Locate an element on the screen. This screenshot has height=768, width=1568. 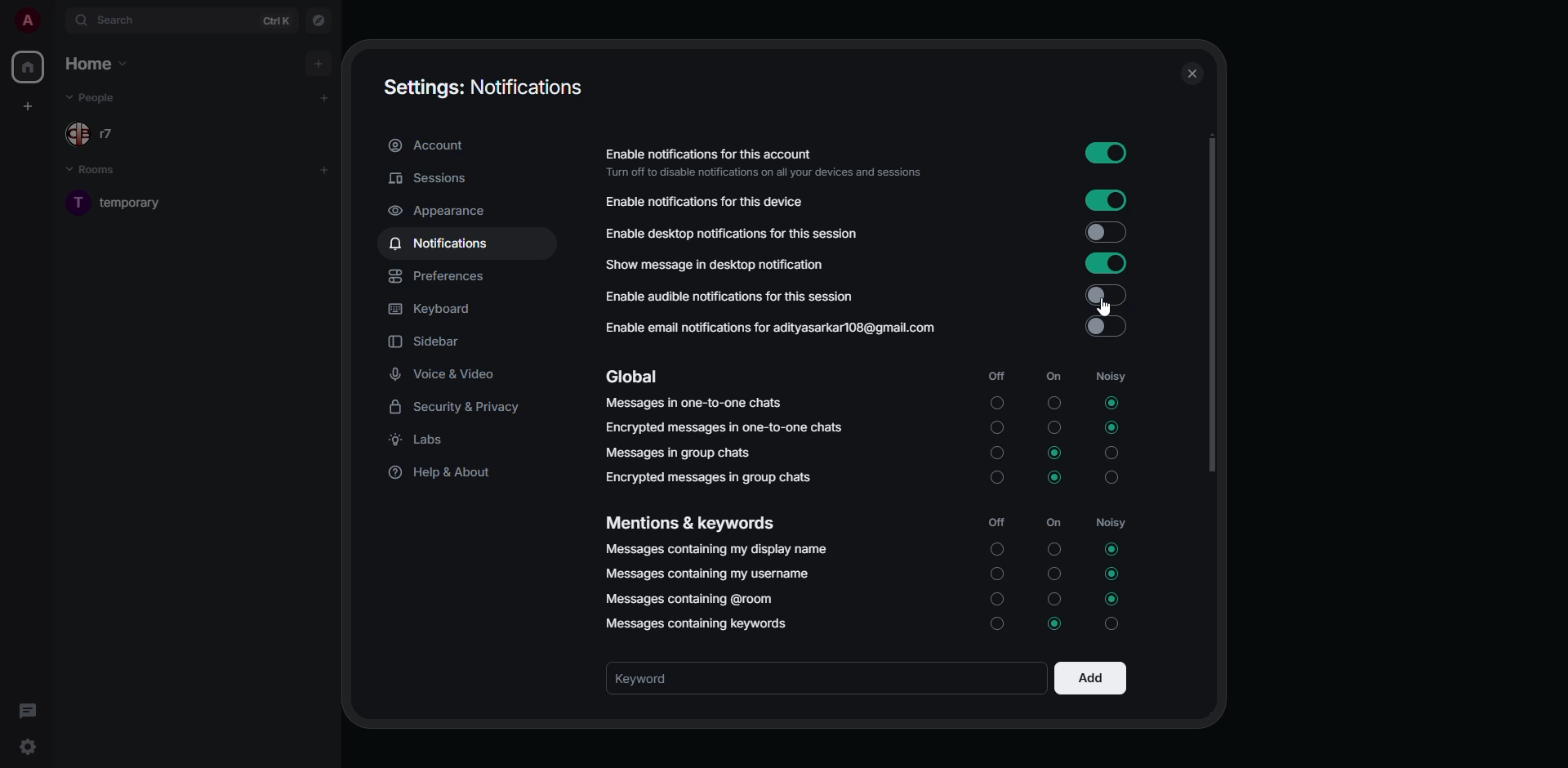
profile is located at coordinates (27, 20).